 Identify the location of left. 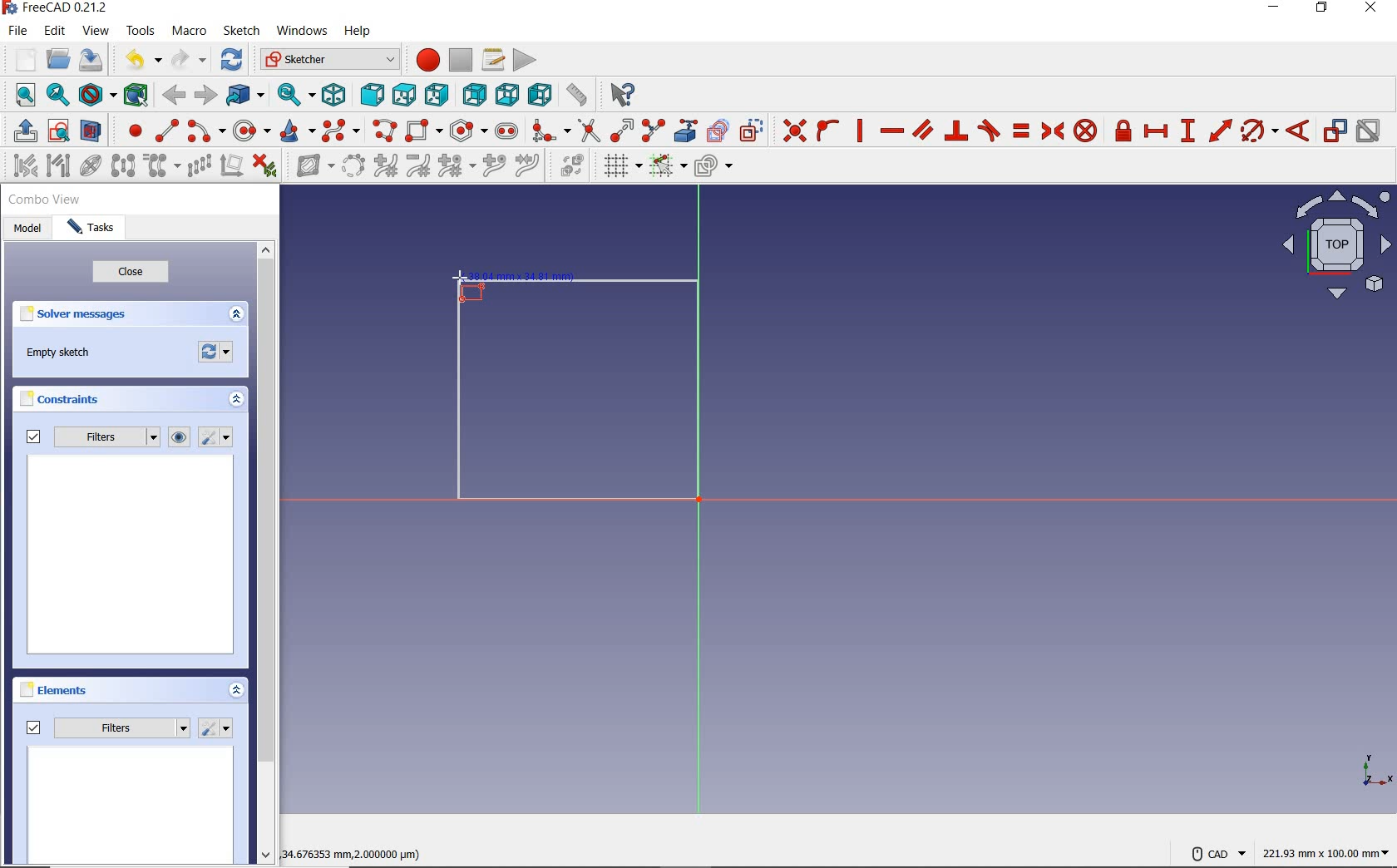
(538, 96).